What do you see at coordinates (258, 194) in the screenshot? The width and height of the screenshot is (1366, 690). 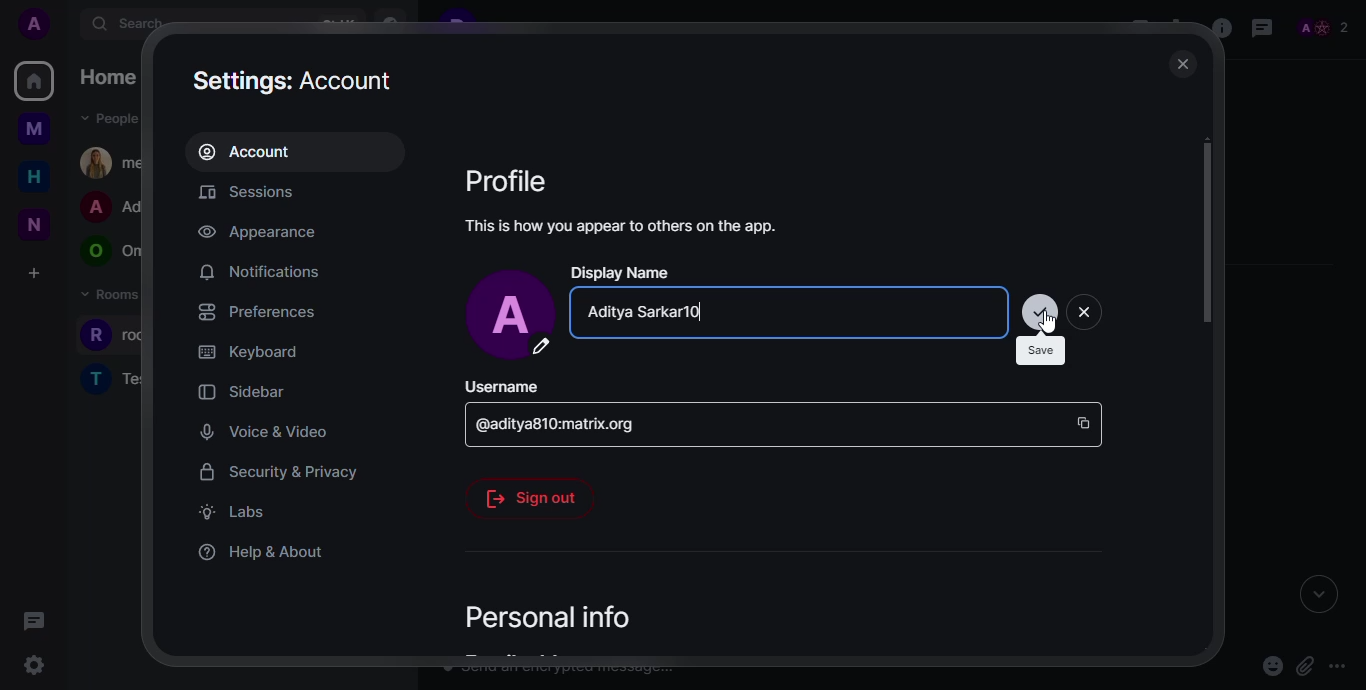 I see `sessions` at bounding box center [258, 194].